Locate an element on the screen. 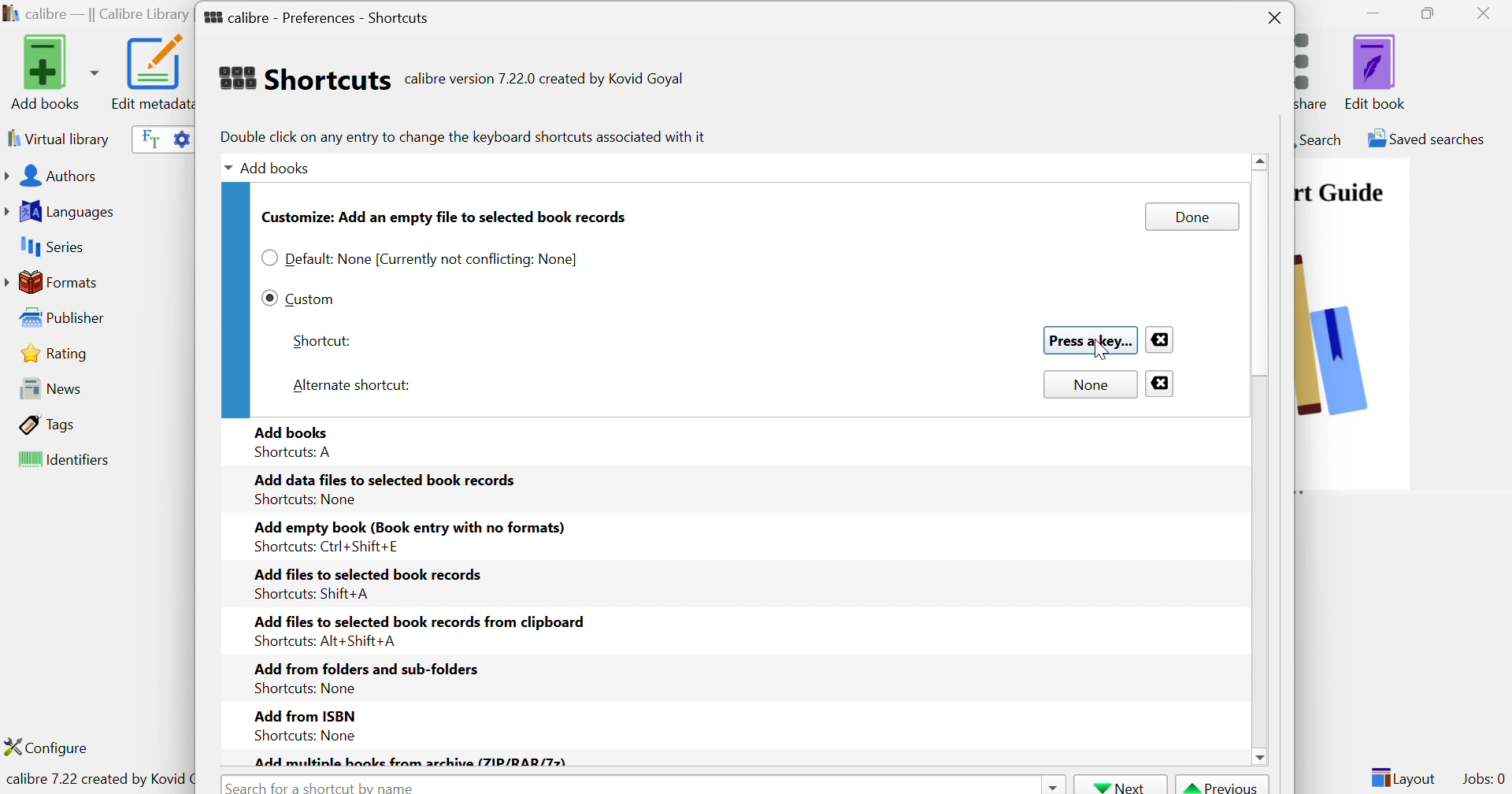 This screenshot has height=794, width=1512. Minimize is located at coordinates (1373, 12).